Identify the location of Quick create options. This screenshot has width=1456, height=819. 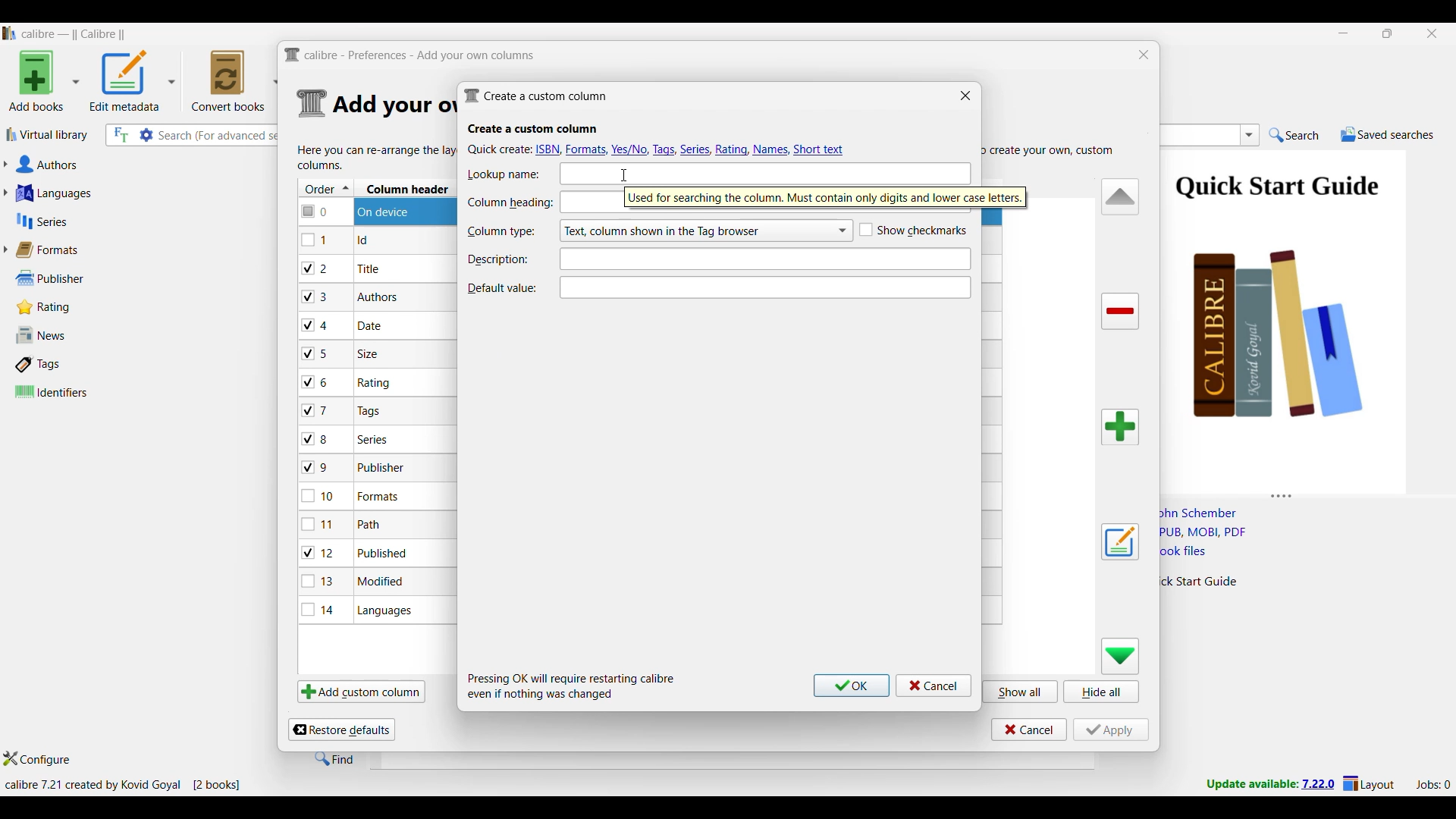
(658, 149).